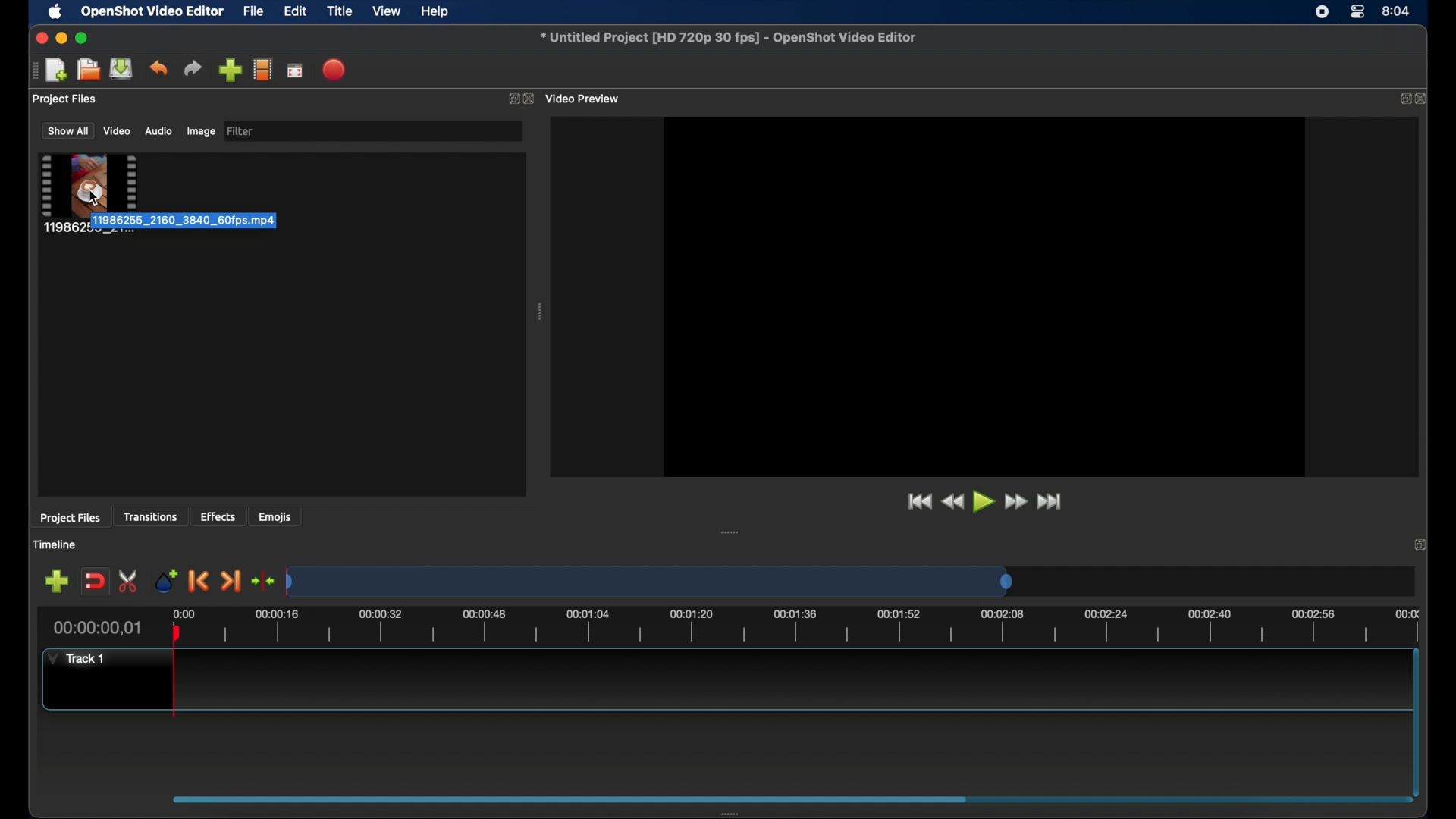  Describe the element at coordinates (275, 518) in the screenshot. I see `emojis` at that location.